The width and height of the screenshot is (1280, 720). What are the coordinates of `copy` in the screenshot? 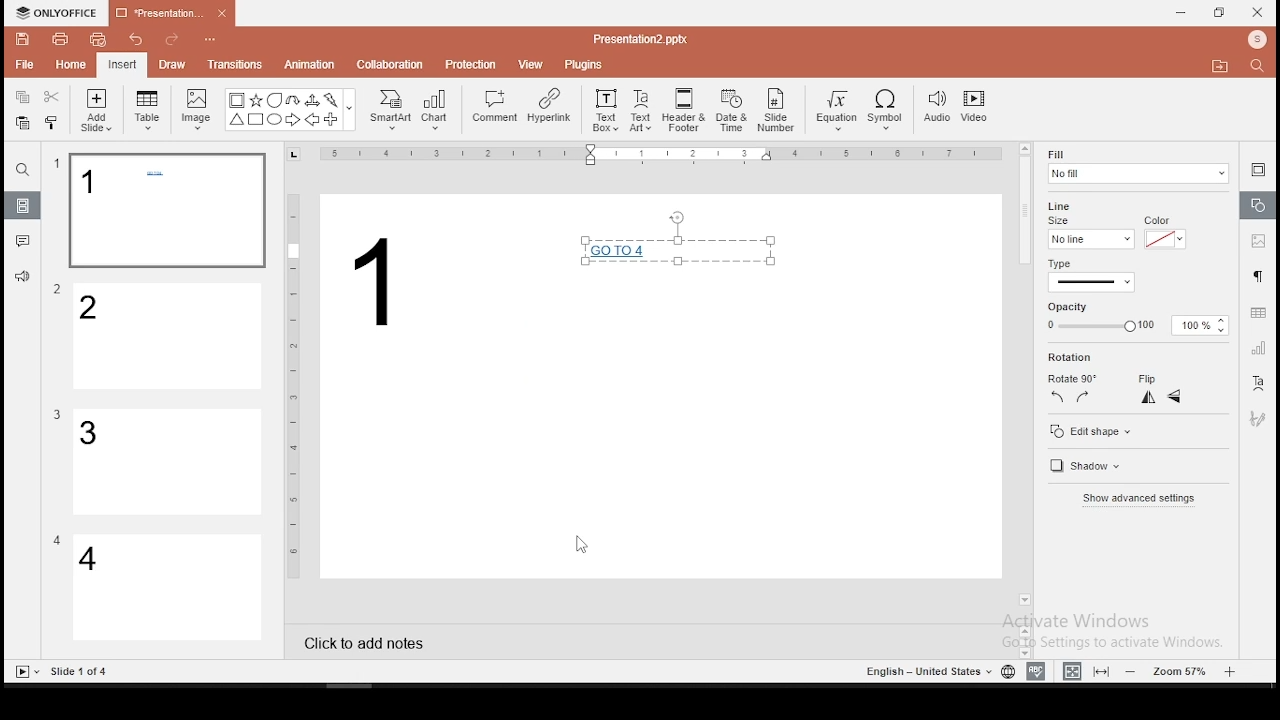 It's located at (22, 97).